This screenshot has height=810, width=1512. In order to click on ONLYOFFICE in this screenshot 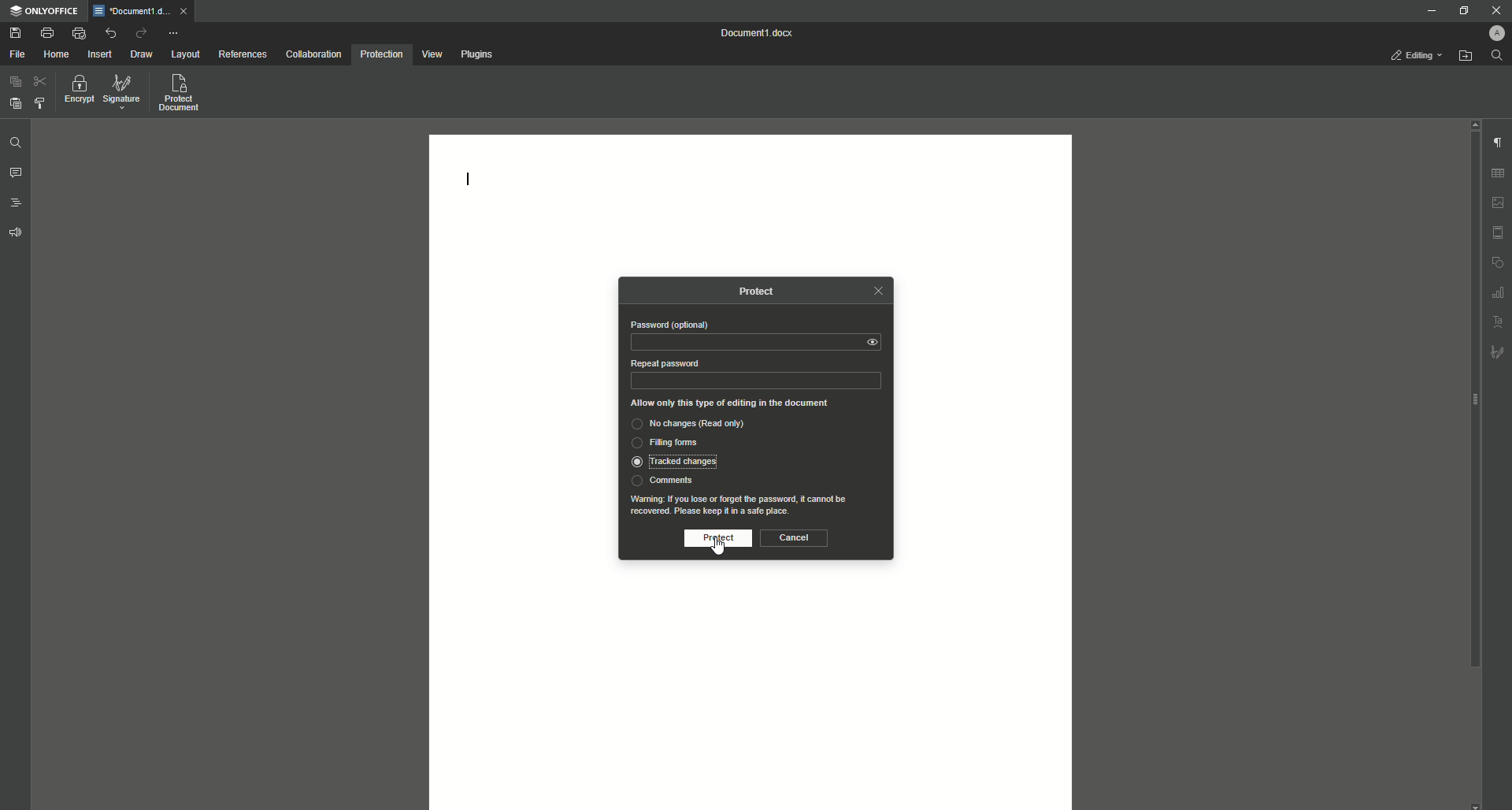, I will do `click(45, 10)`.